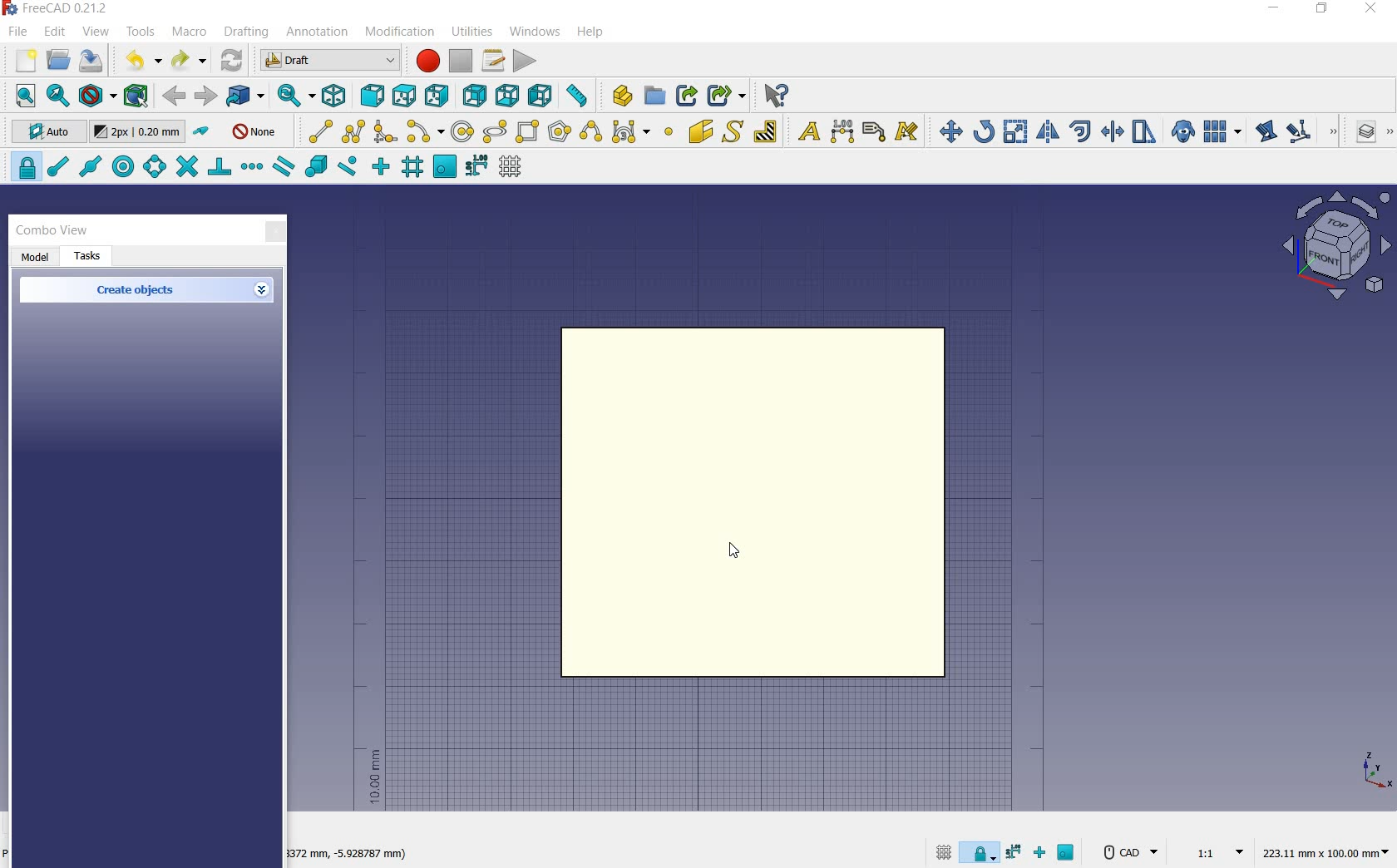  What do you see at coordinates (57, 167) in the screenshot?
I see `snap endpoint` at bounding box center [57, 167].